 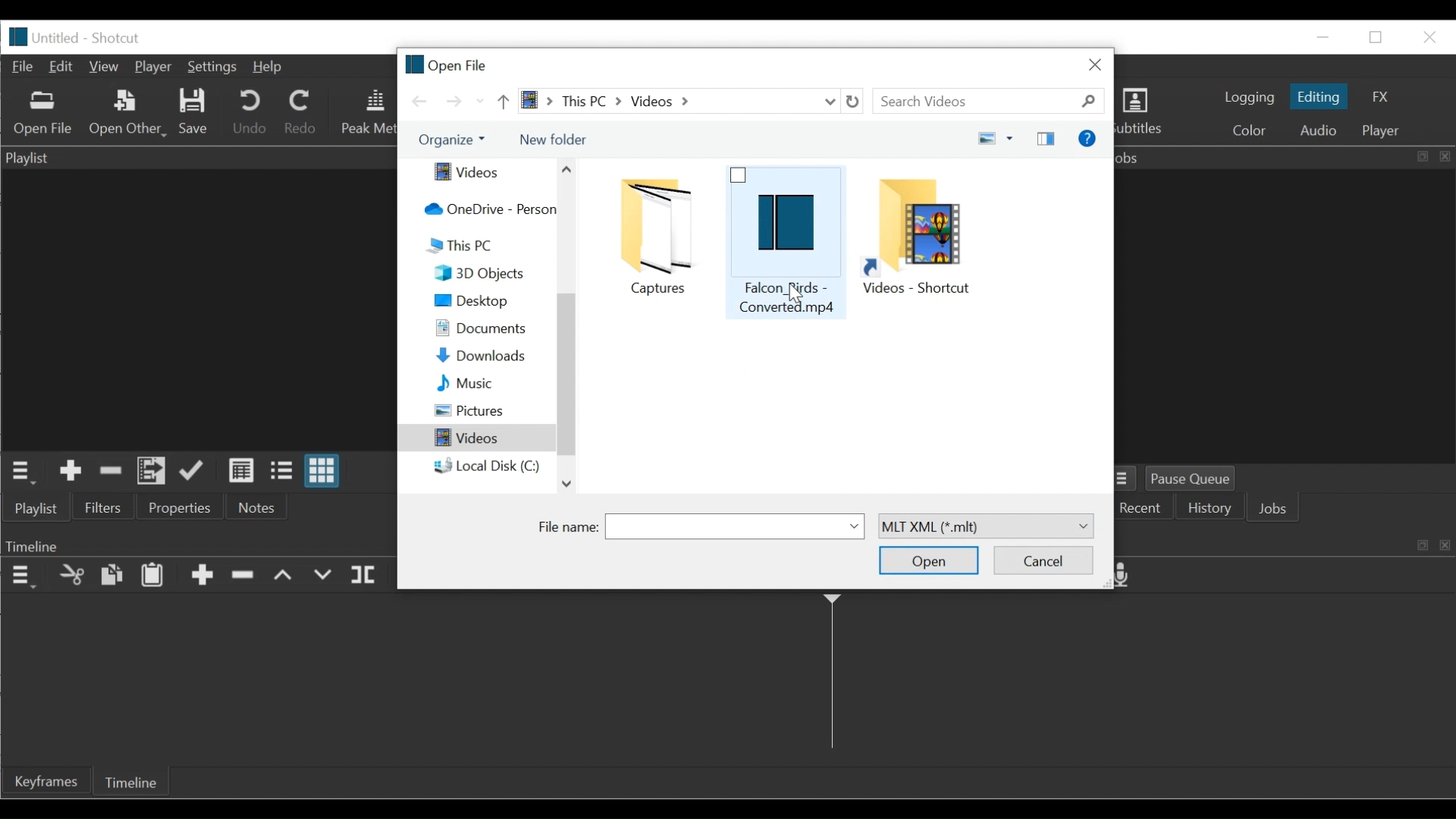 I want to click on Videos, so click(x=479, y=173).